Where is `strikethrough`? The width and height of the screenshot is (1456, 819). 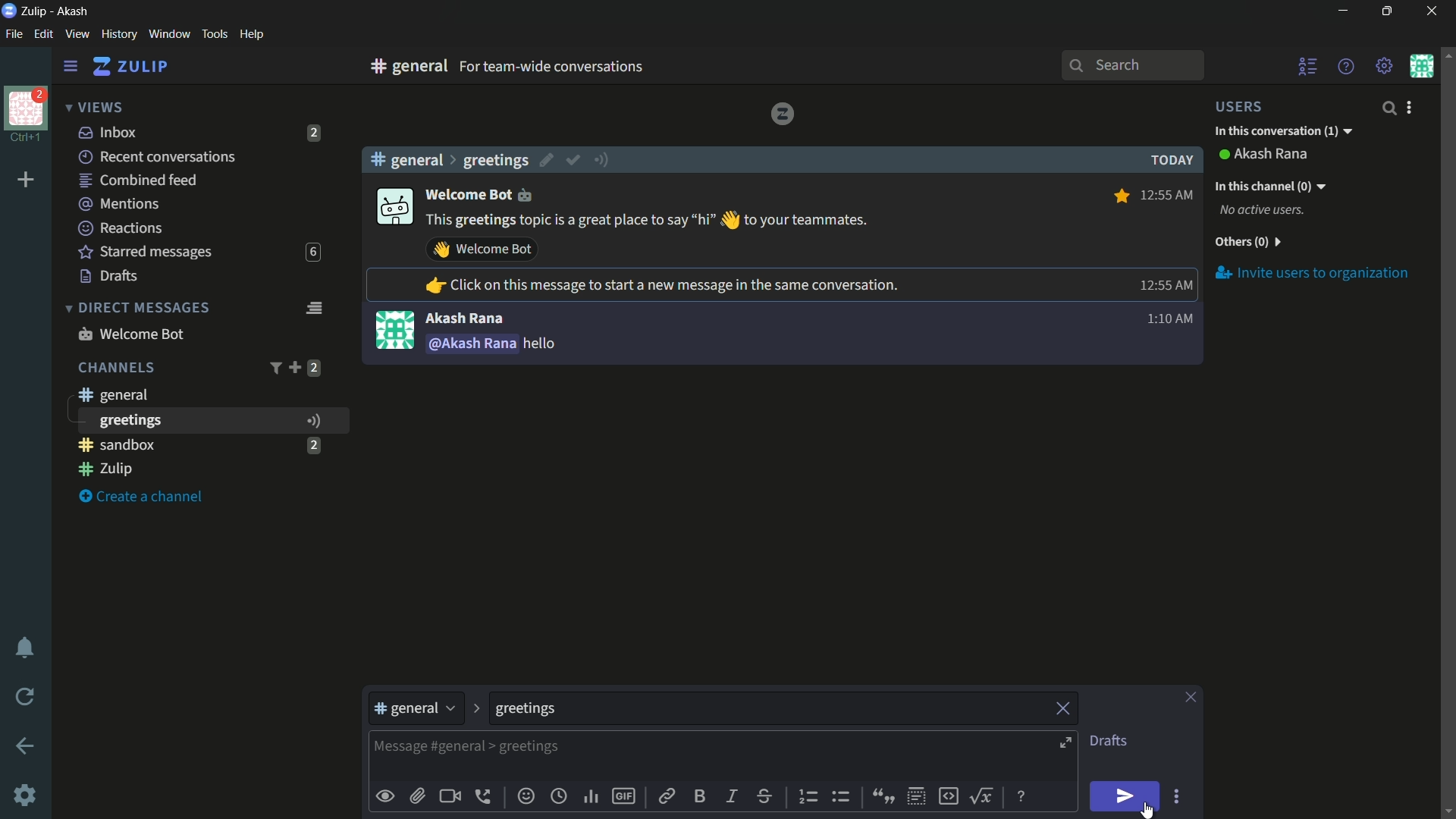 strikethrough is located at coordinates (765, 798).